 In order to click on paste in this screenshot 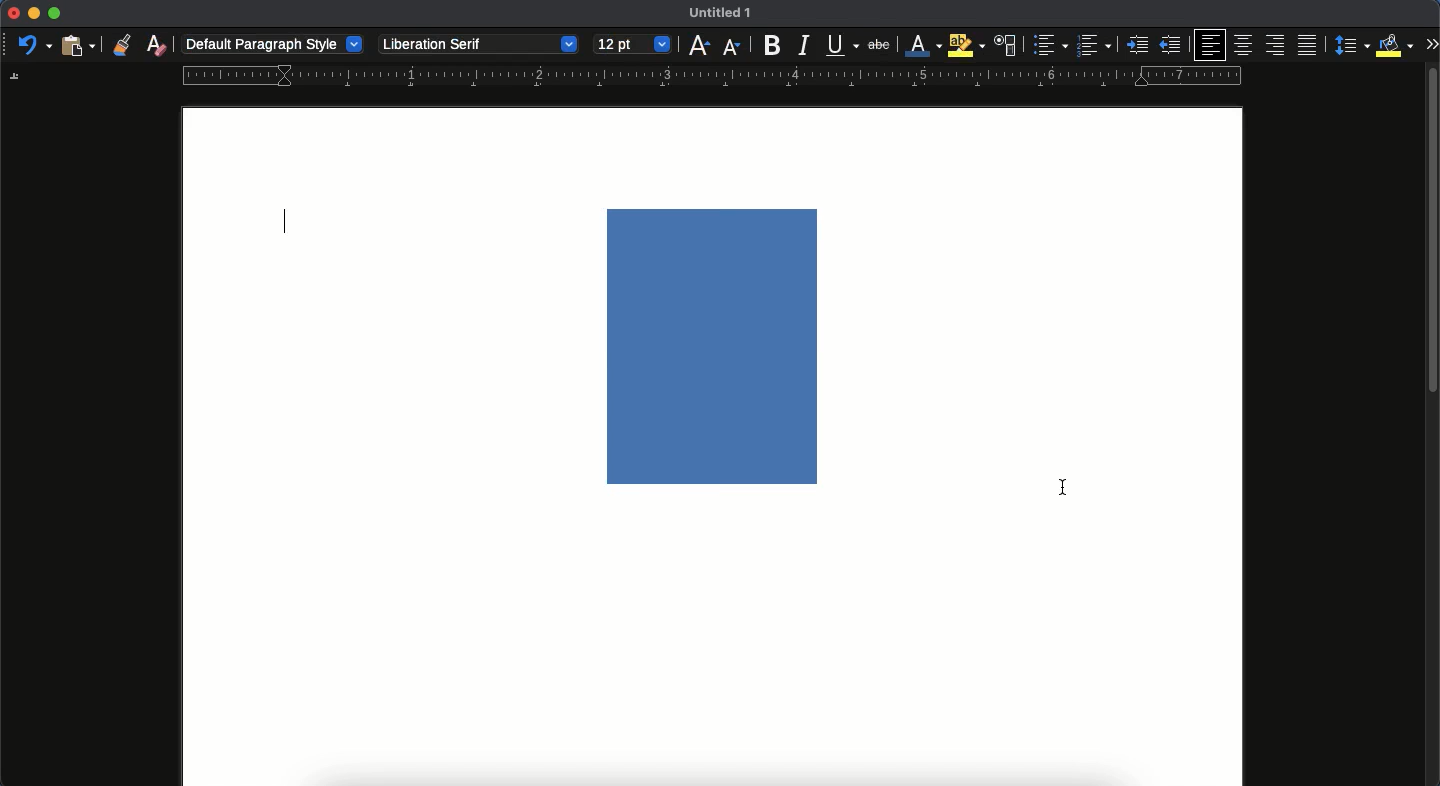, I will do `click(77, 47)`.